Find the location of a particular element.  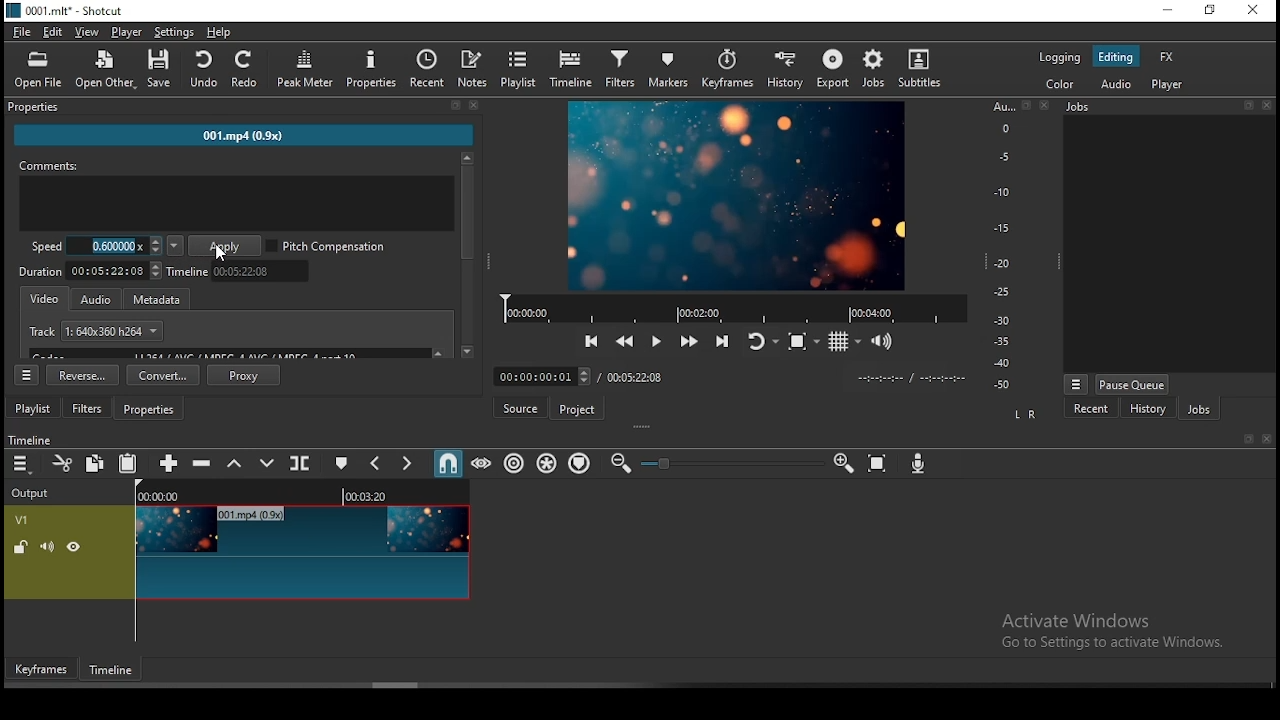

elapsed time is located at coordinates (540, 375).